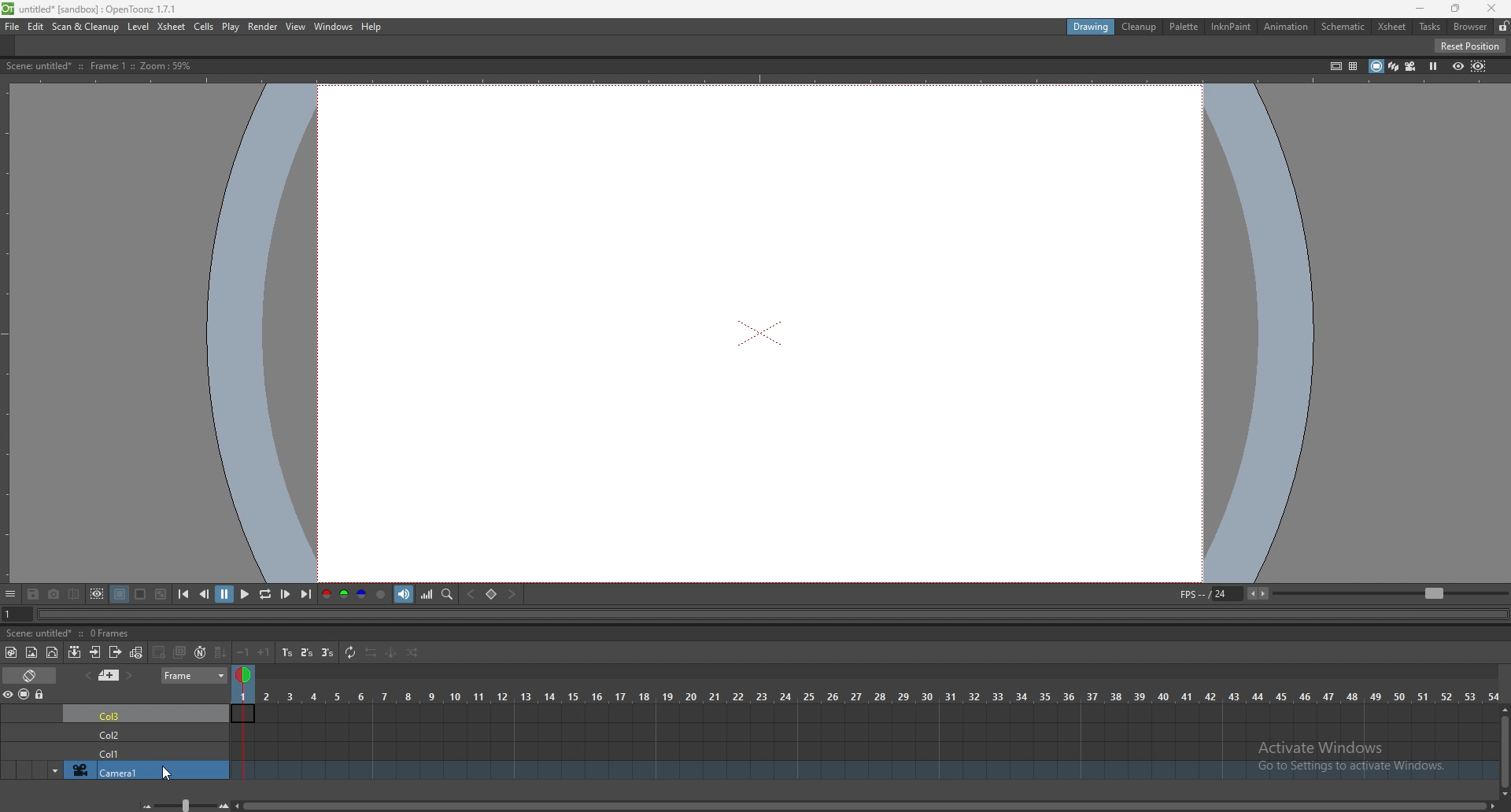  I want to click on swing, so click(390, 654).